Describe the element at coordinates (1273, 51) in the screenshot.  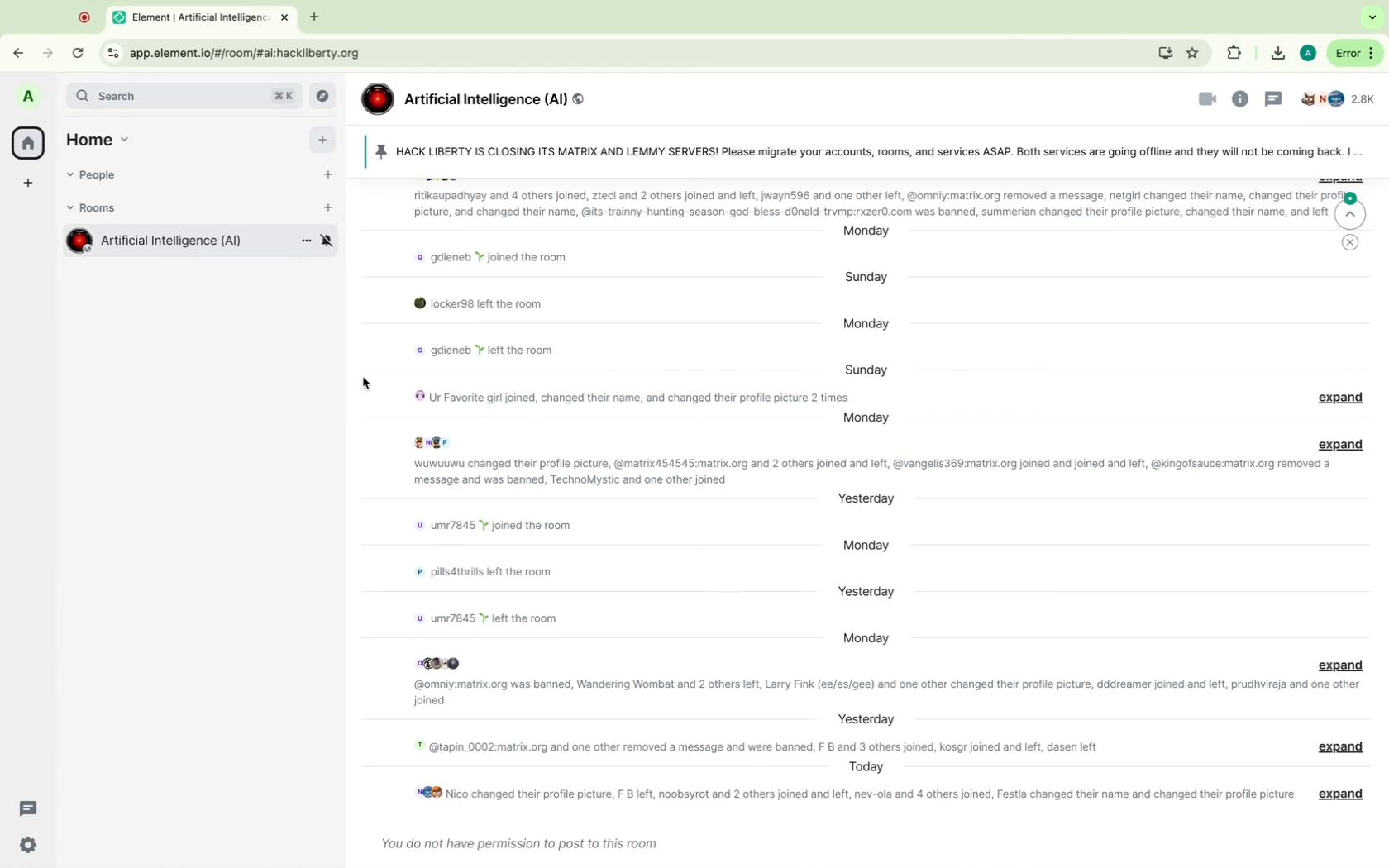
I see `downloads` at that location.